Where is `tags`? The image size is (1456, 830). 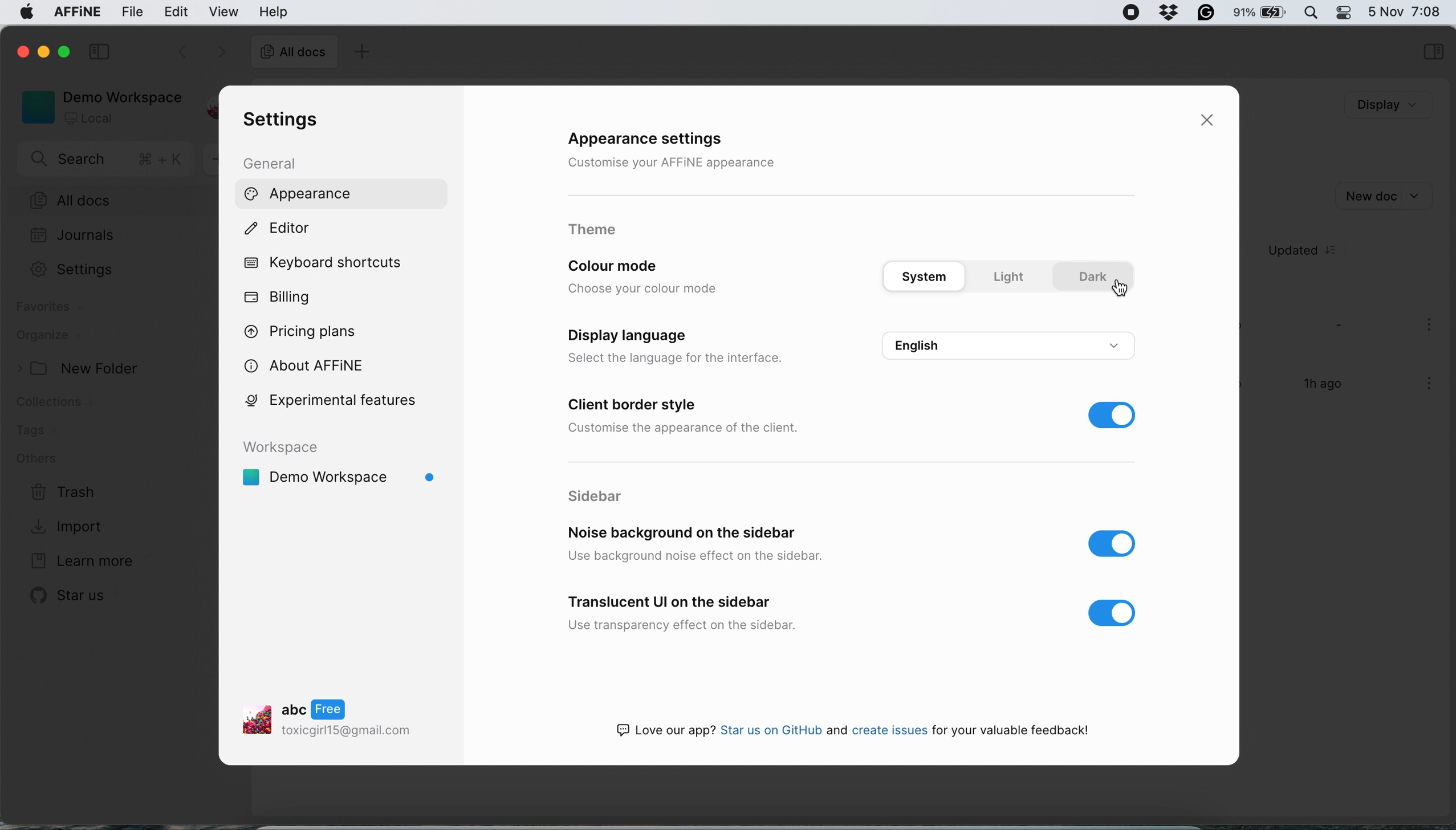
tags is located at coordinates (39, 432).